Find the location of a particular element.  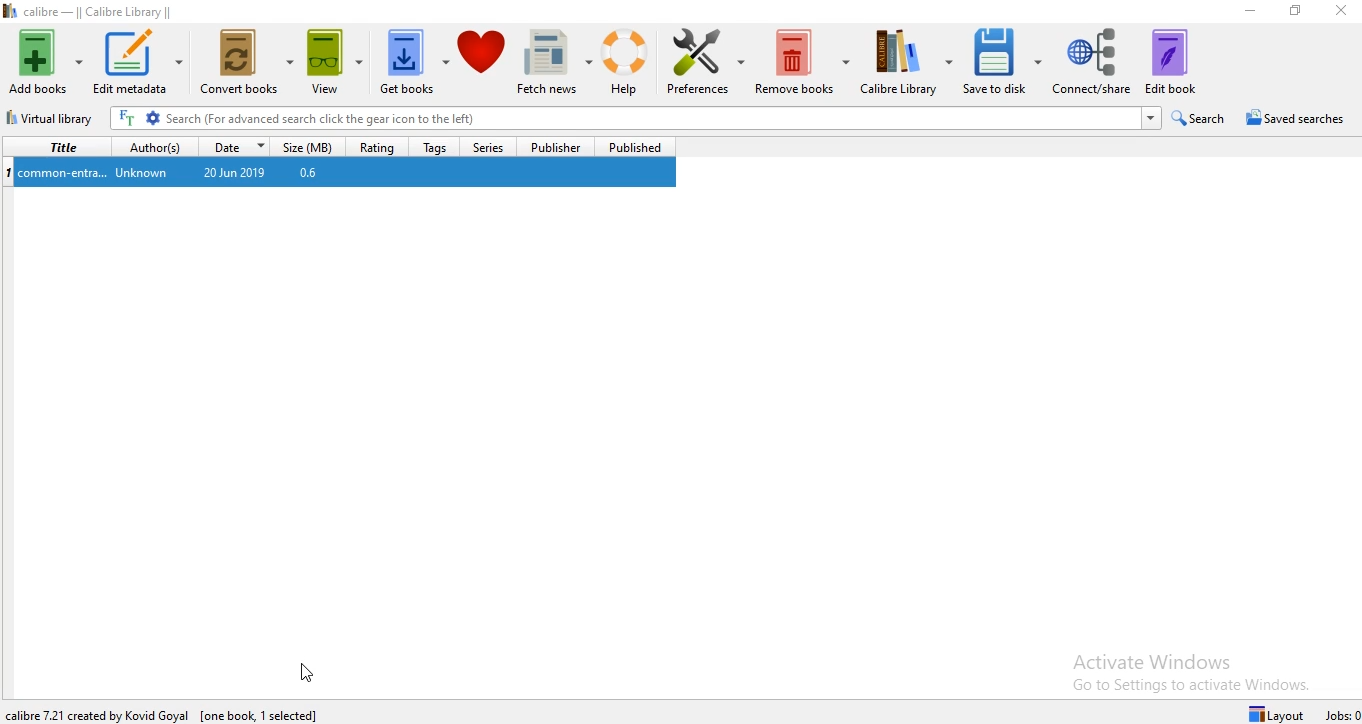

Get books is located at coordinates (413, 65).